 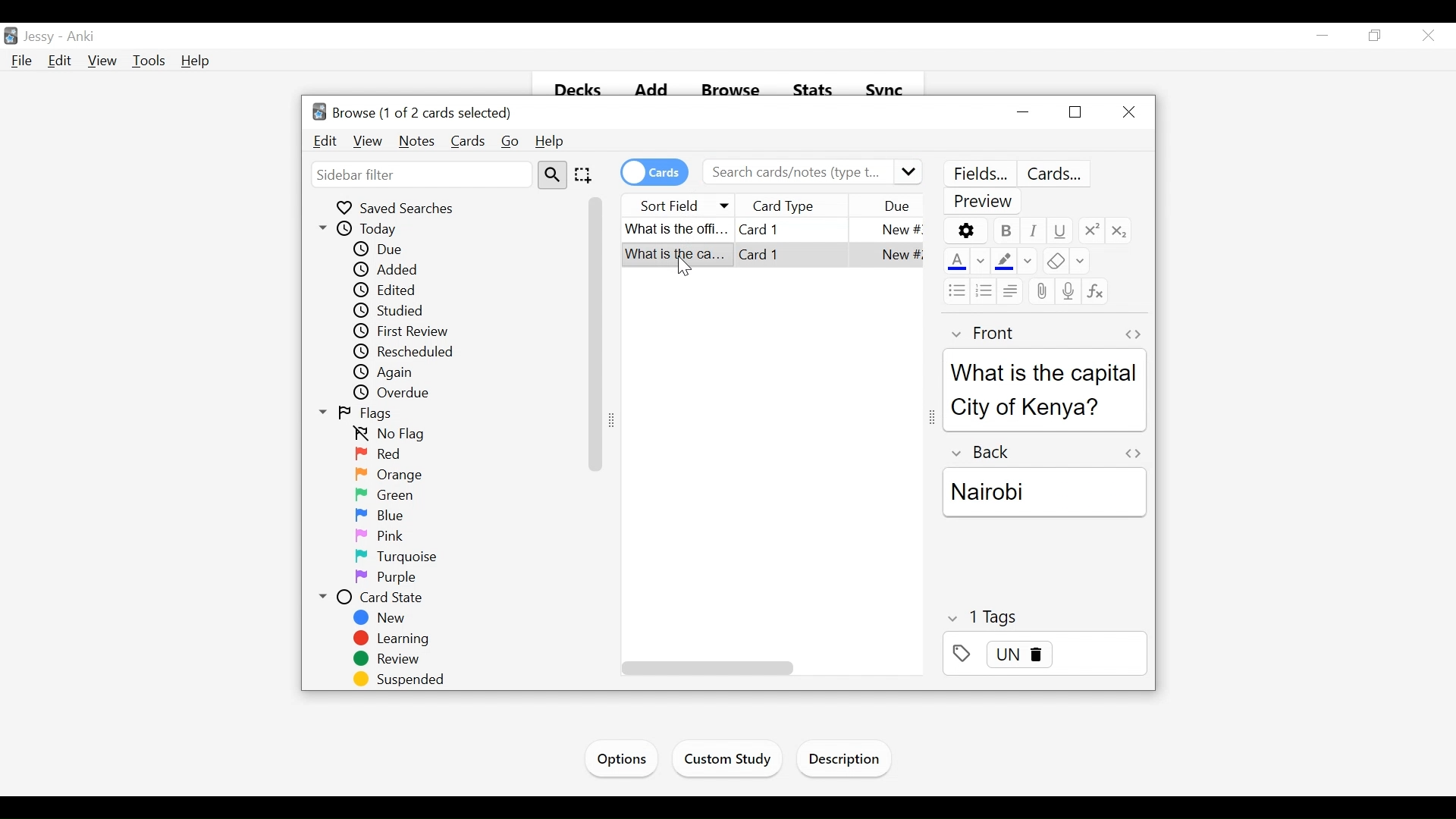 I want to click on Horizontal Scroll bar, so click(x=705, y=668).